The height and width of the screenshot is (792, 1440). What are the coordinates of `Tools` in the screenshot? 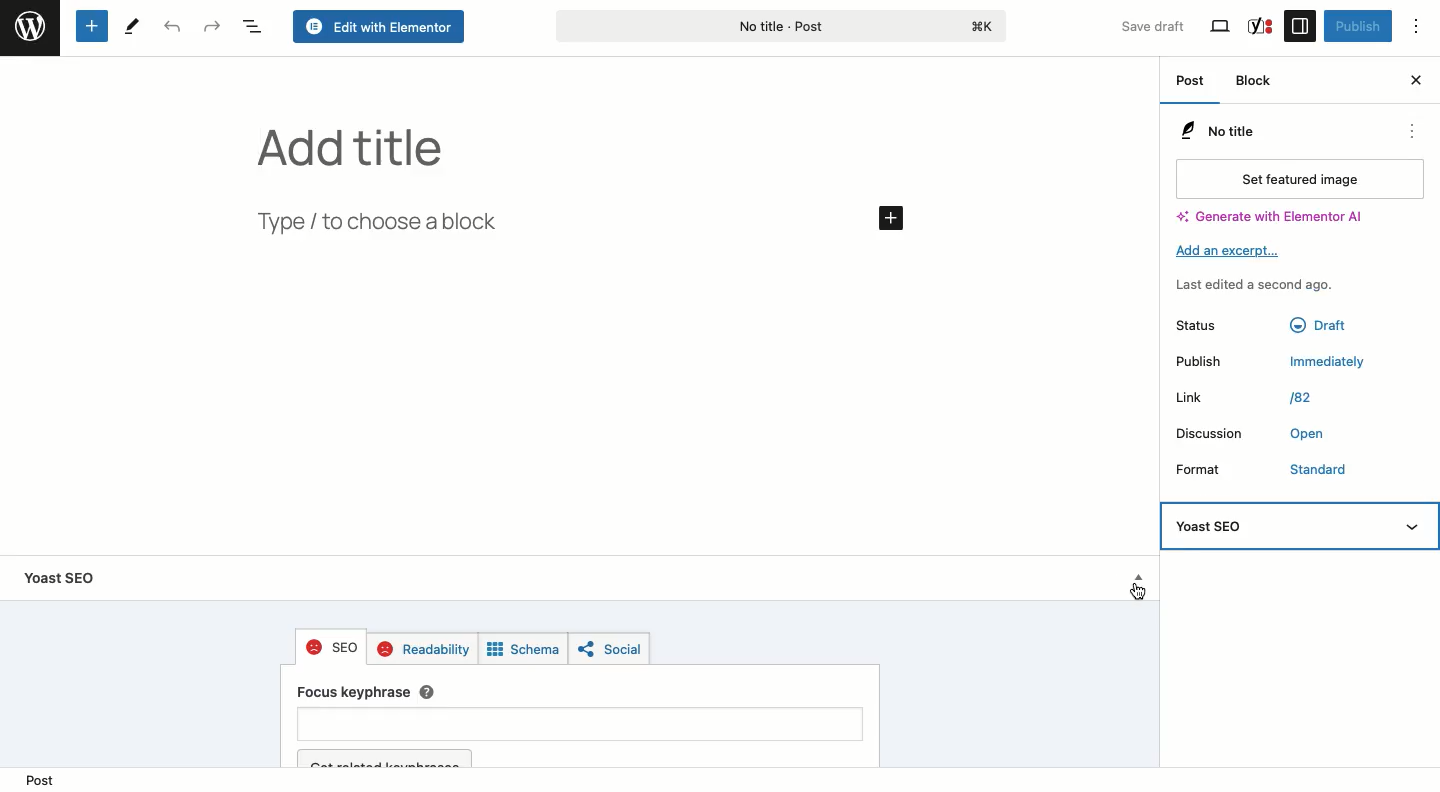 It's located at (133, 25).